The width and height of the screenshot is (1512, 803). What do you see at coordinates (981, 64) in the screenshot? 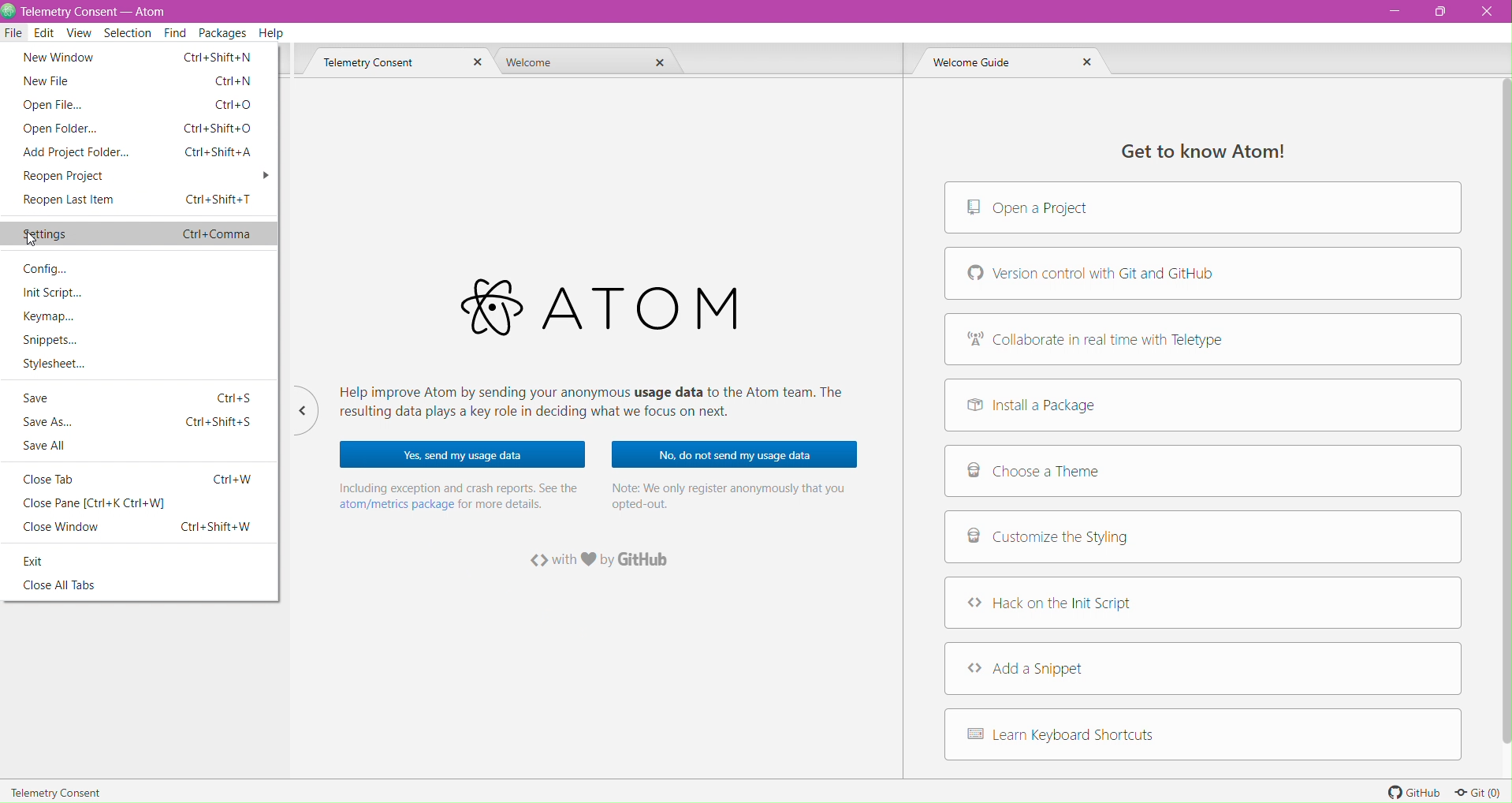
I see `Welcome Guide` at bounding box center [981, 64].